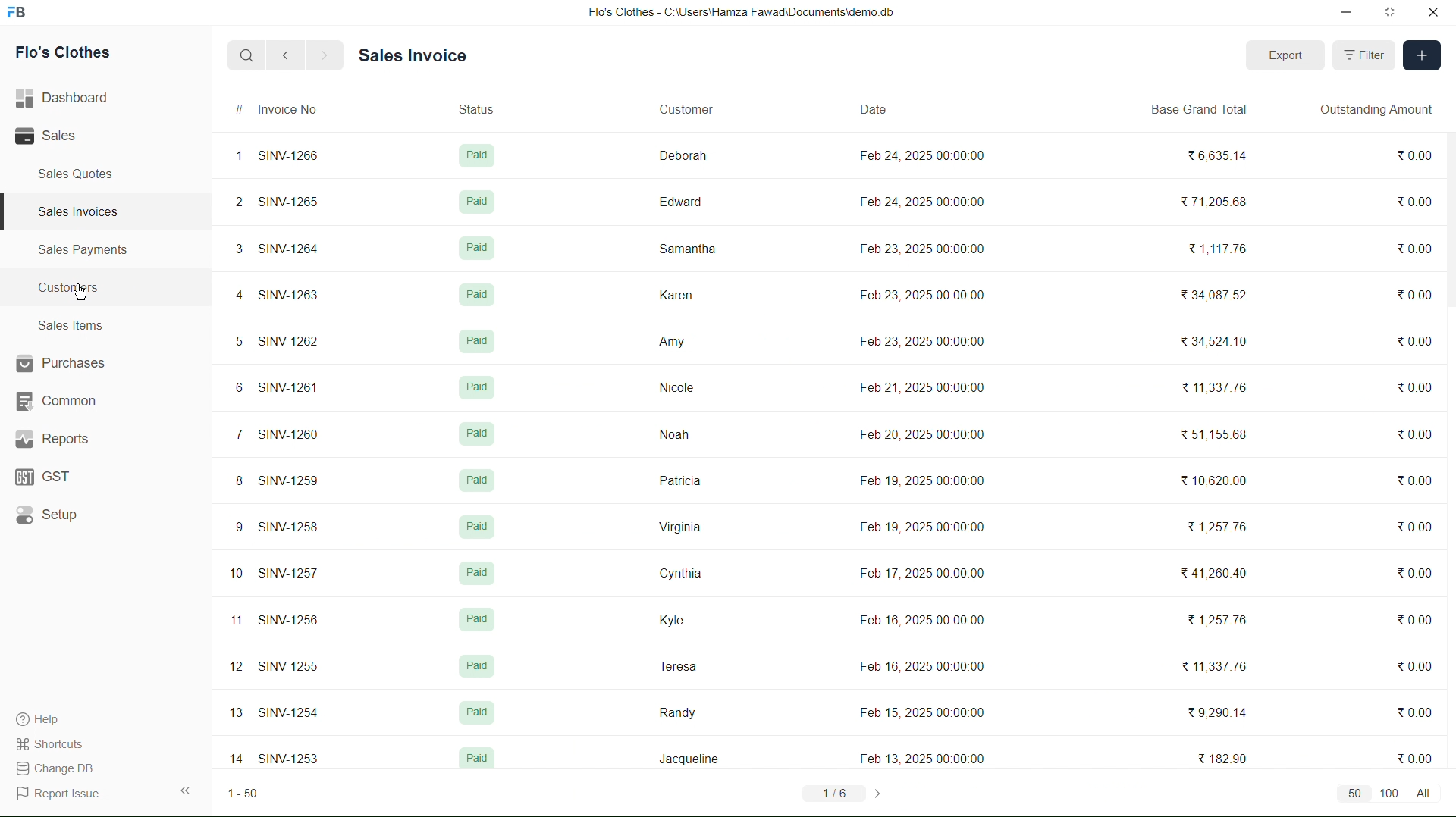 This screenshot has height=817, width=1456. I want to click on Sales, so click(53, 137).